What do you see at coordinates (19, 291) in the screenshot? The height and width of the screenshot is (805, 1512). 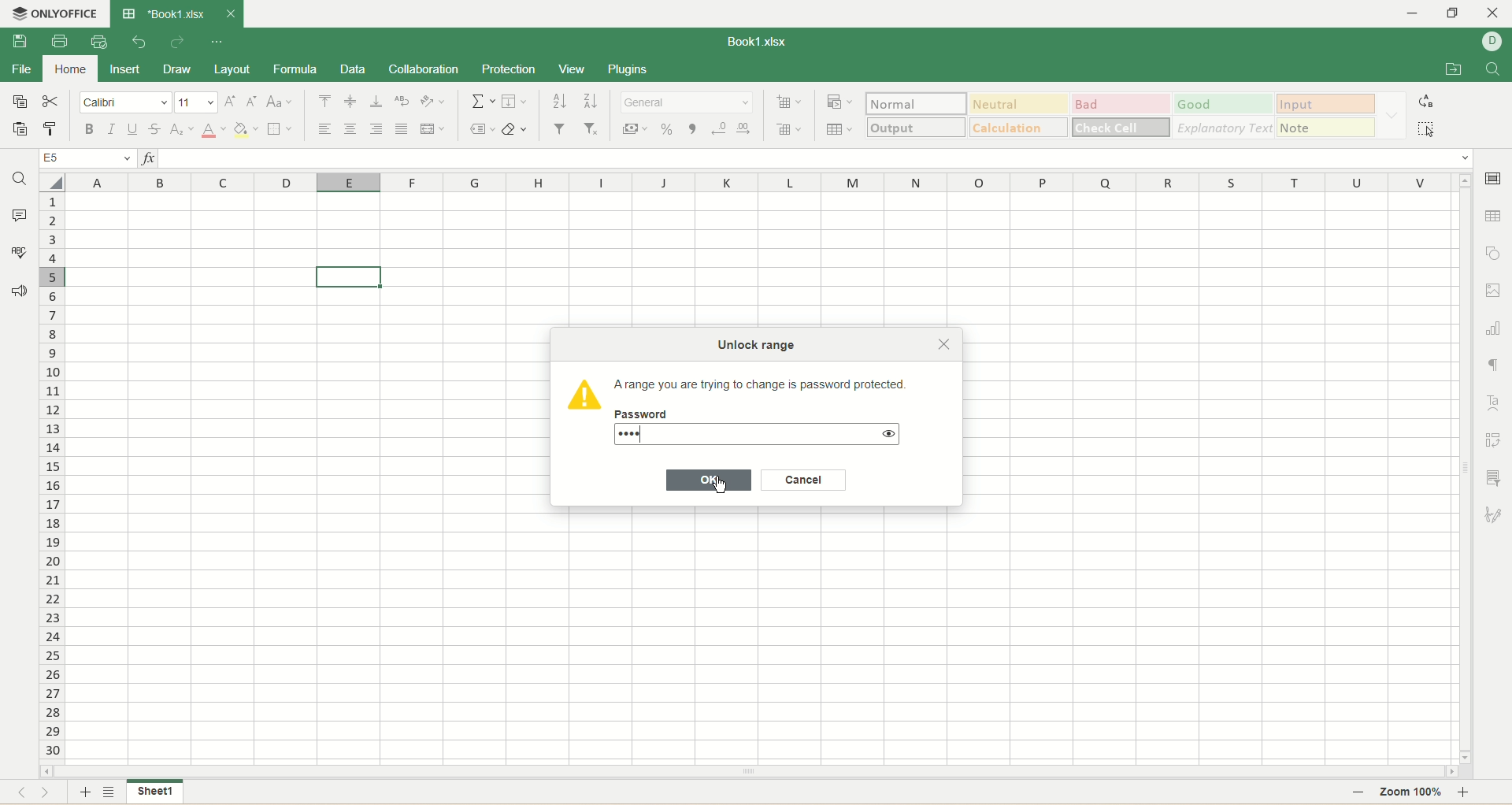 I see `feedback and support` at bounding box center [19, 291].